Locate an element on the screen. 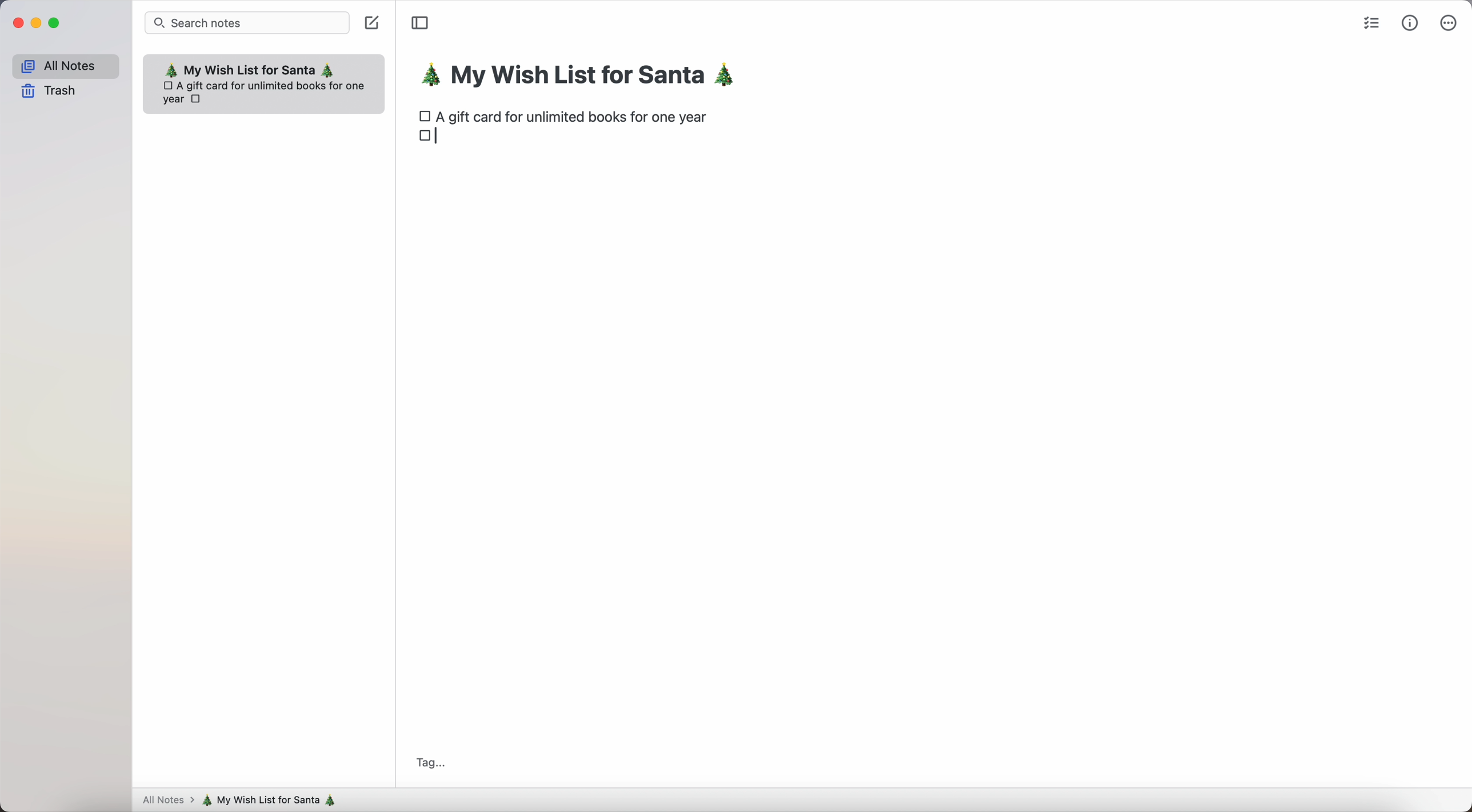 Image resolution: width=1472 pixels, height=812 pixels. create note is located at coordinates (374, 25).